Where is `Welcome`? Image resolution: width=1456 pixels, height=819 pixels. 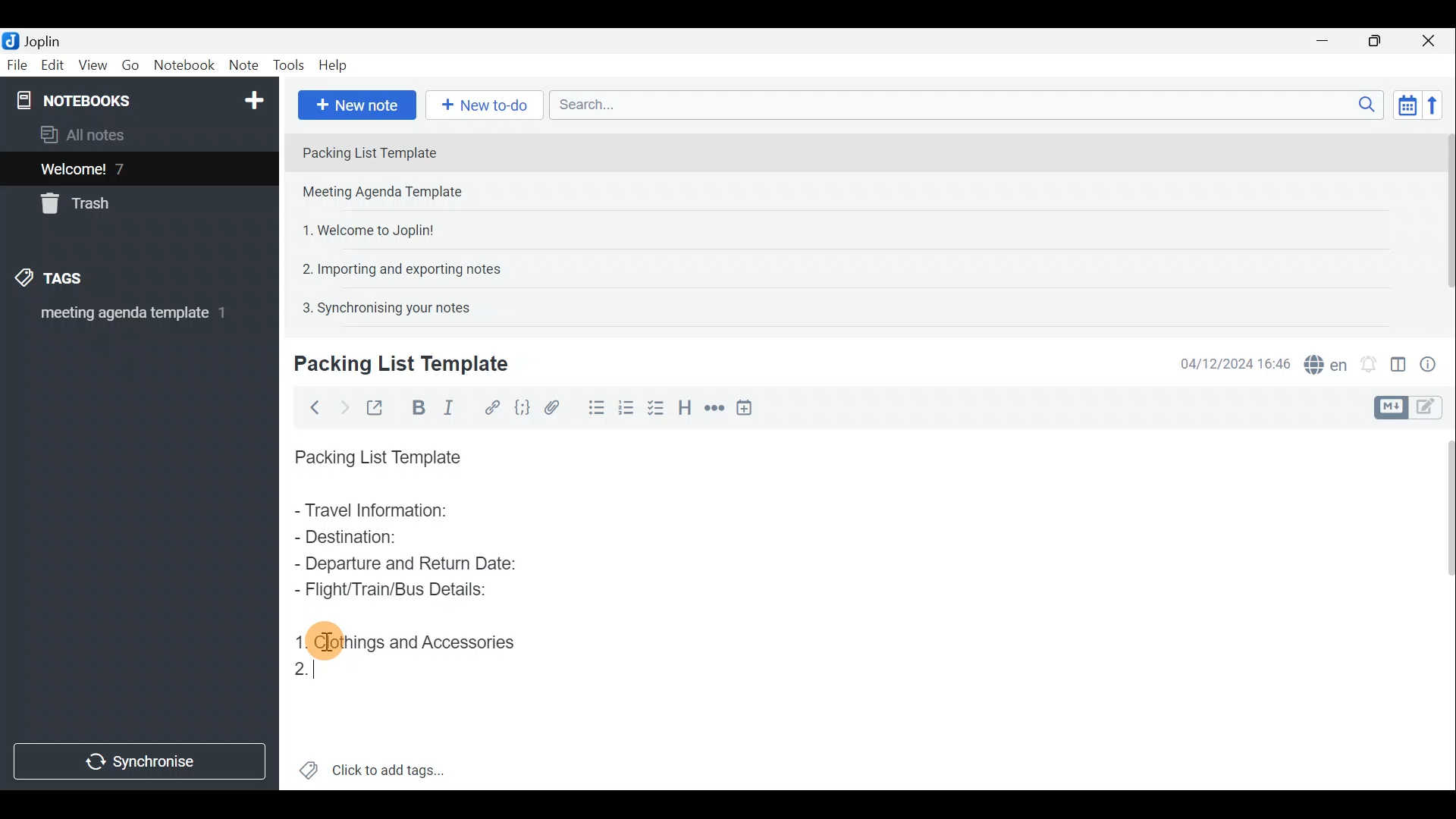 Welcome is located at coordinates (116, 168).